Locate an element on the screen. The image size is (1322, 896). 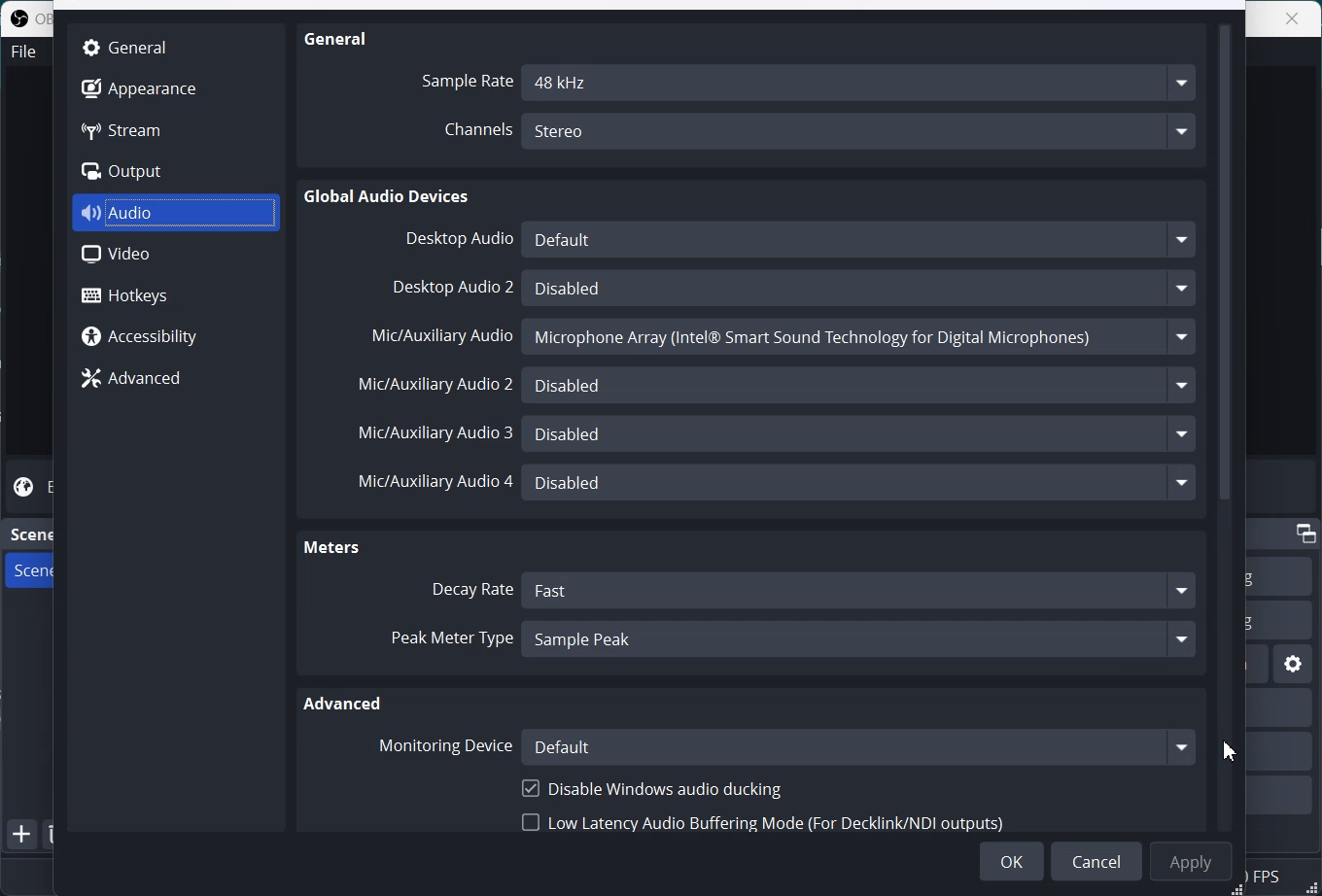
OK is located at coordinates (1012, 861).